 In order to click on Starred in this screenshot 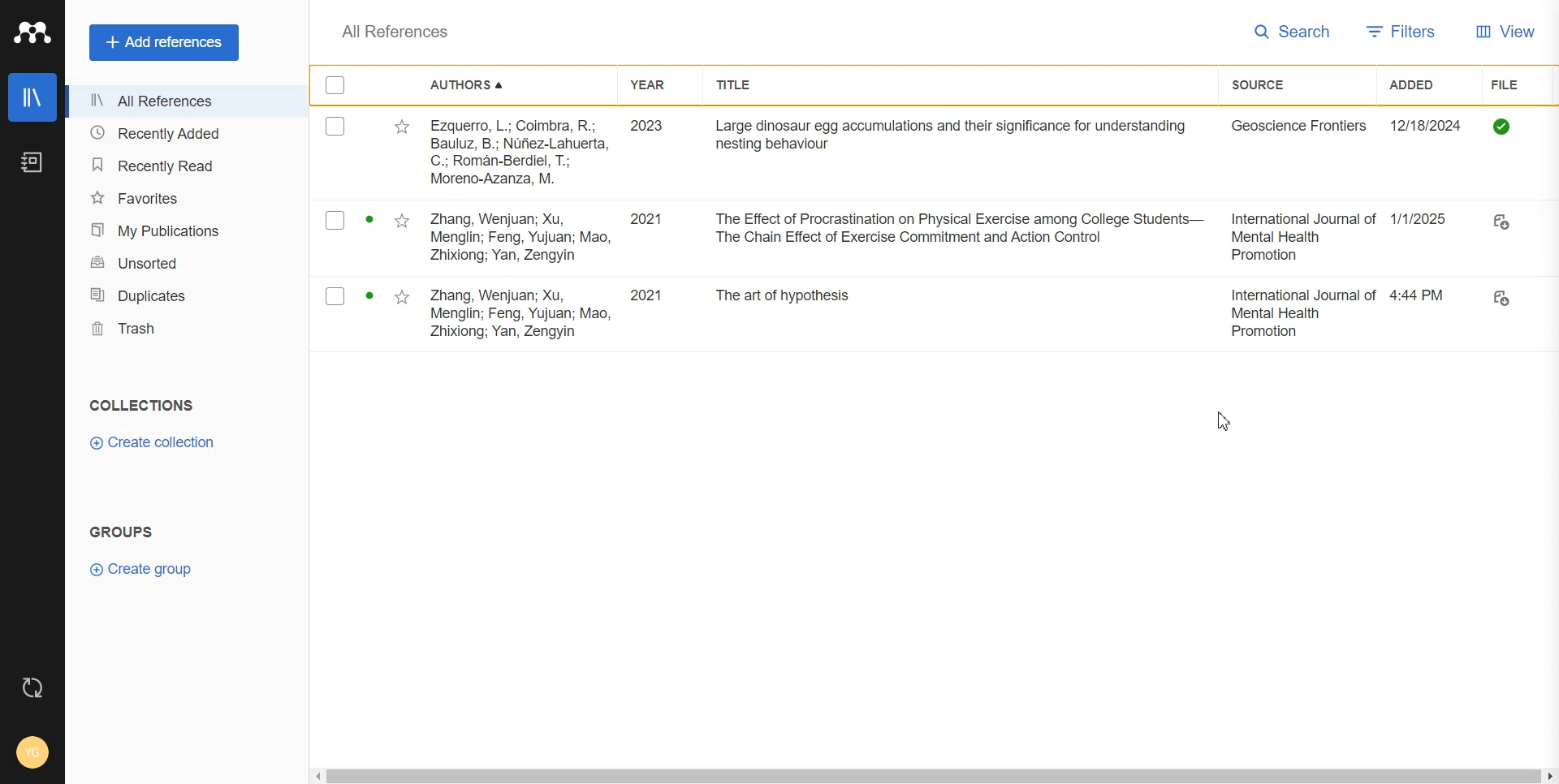, I will do `click(400, 222)`.